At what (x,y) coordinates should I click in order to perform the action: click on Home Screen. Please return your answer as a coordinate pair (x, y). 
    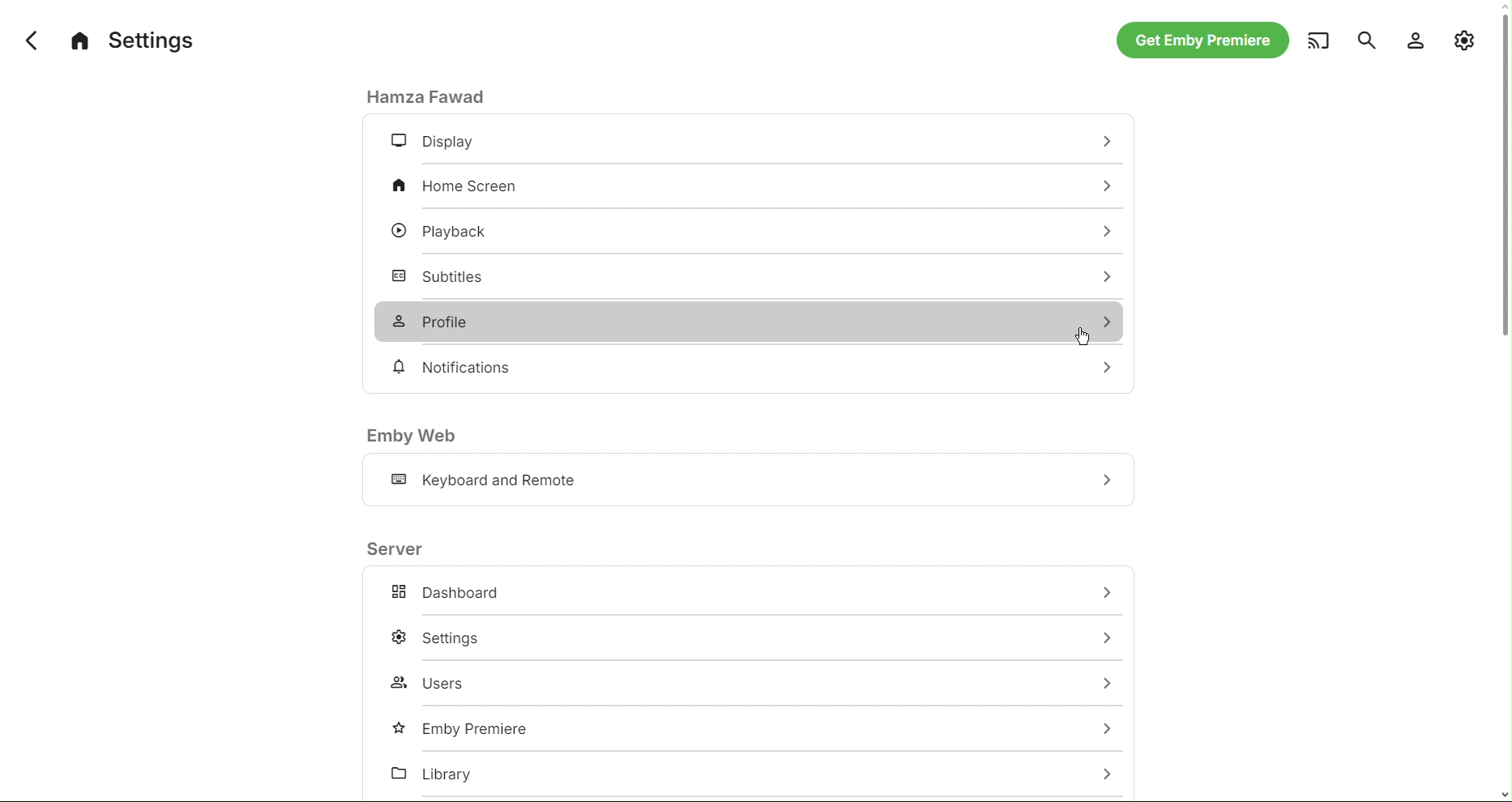
    Looking at the image, I should click on (462, 189).